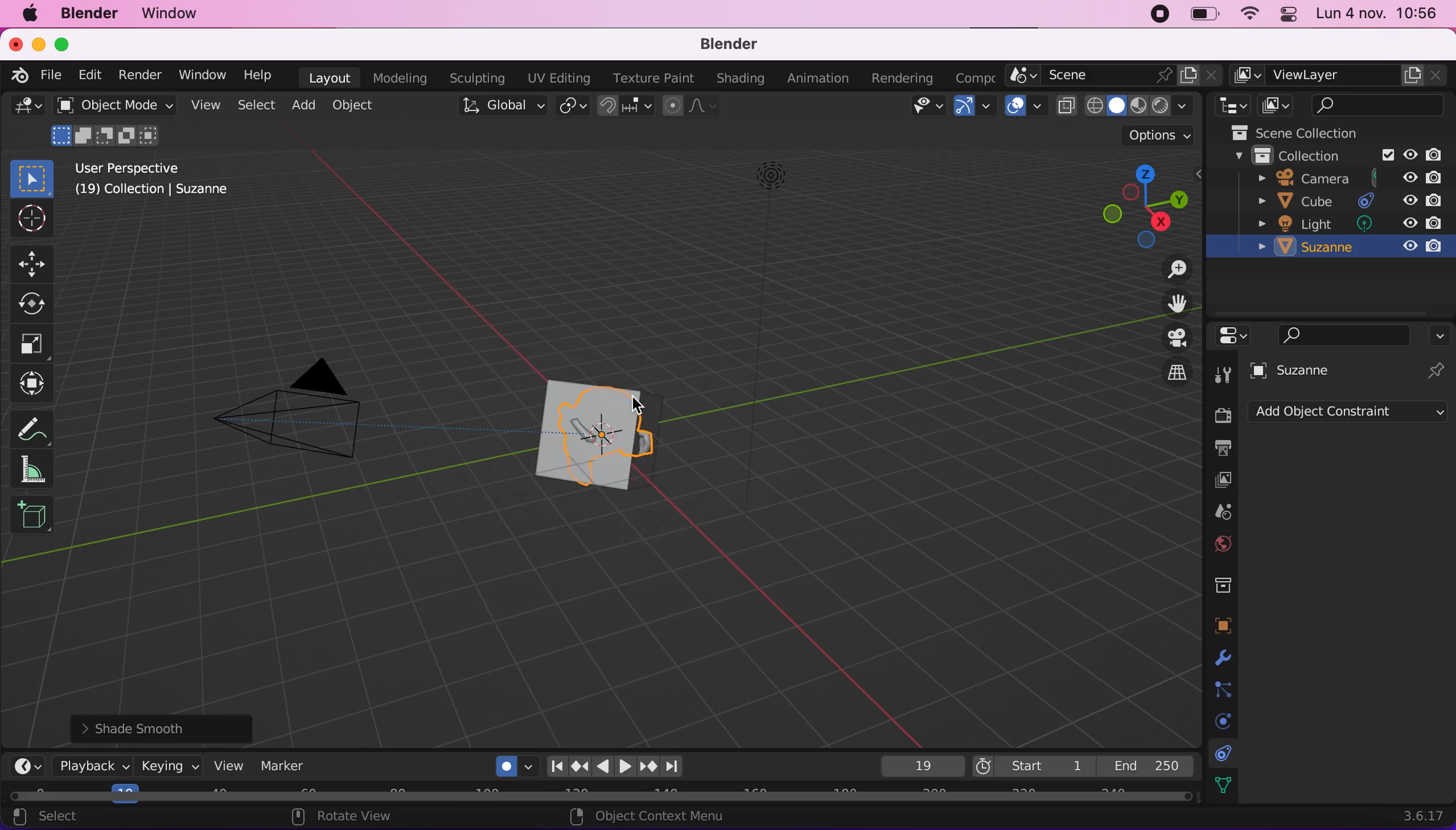  I want to click on add cube, so click(35, 519).